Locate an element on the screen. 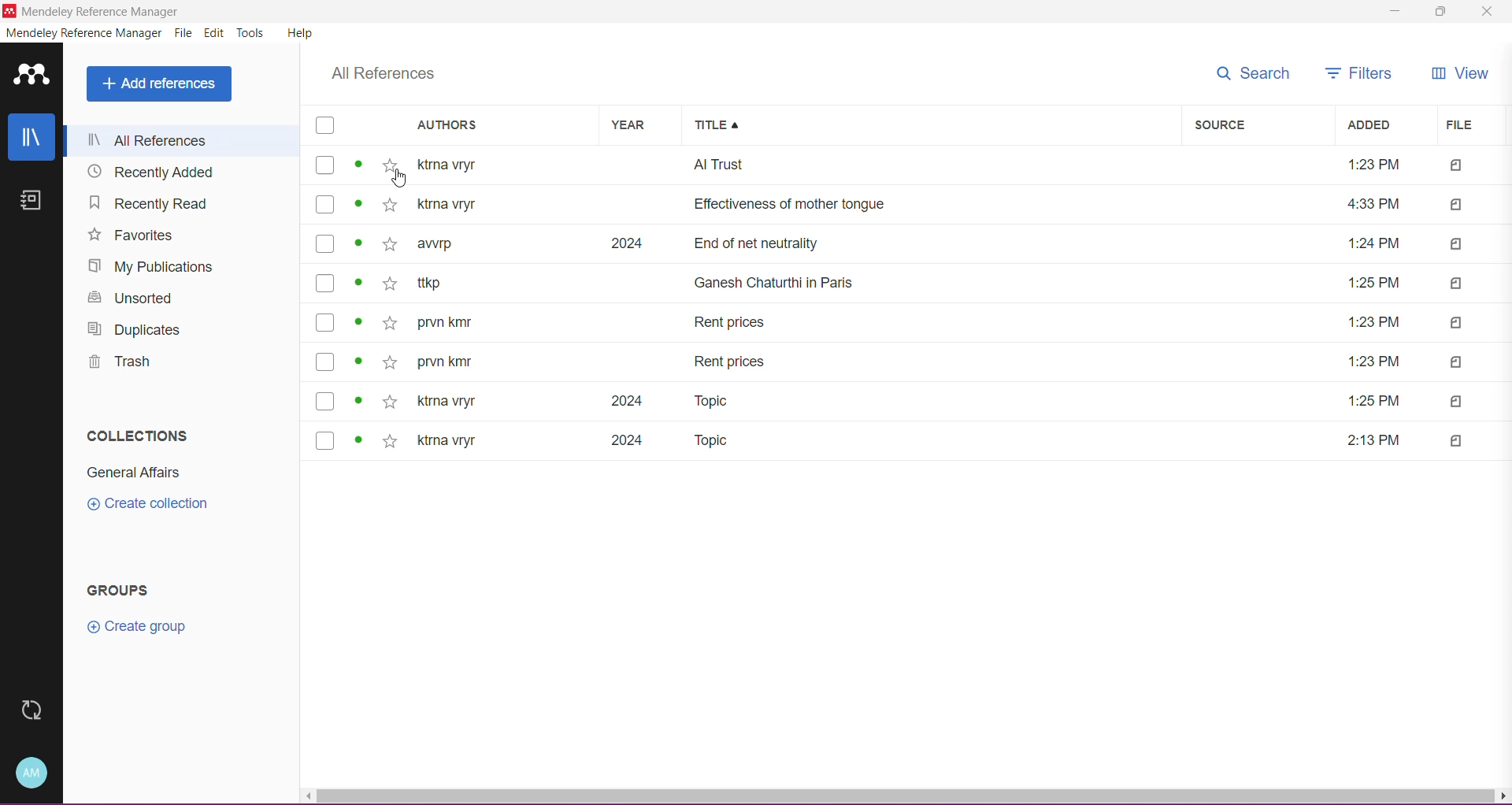  Recently Added is located at coordinates (154, 172).